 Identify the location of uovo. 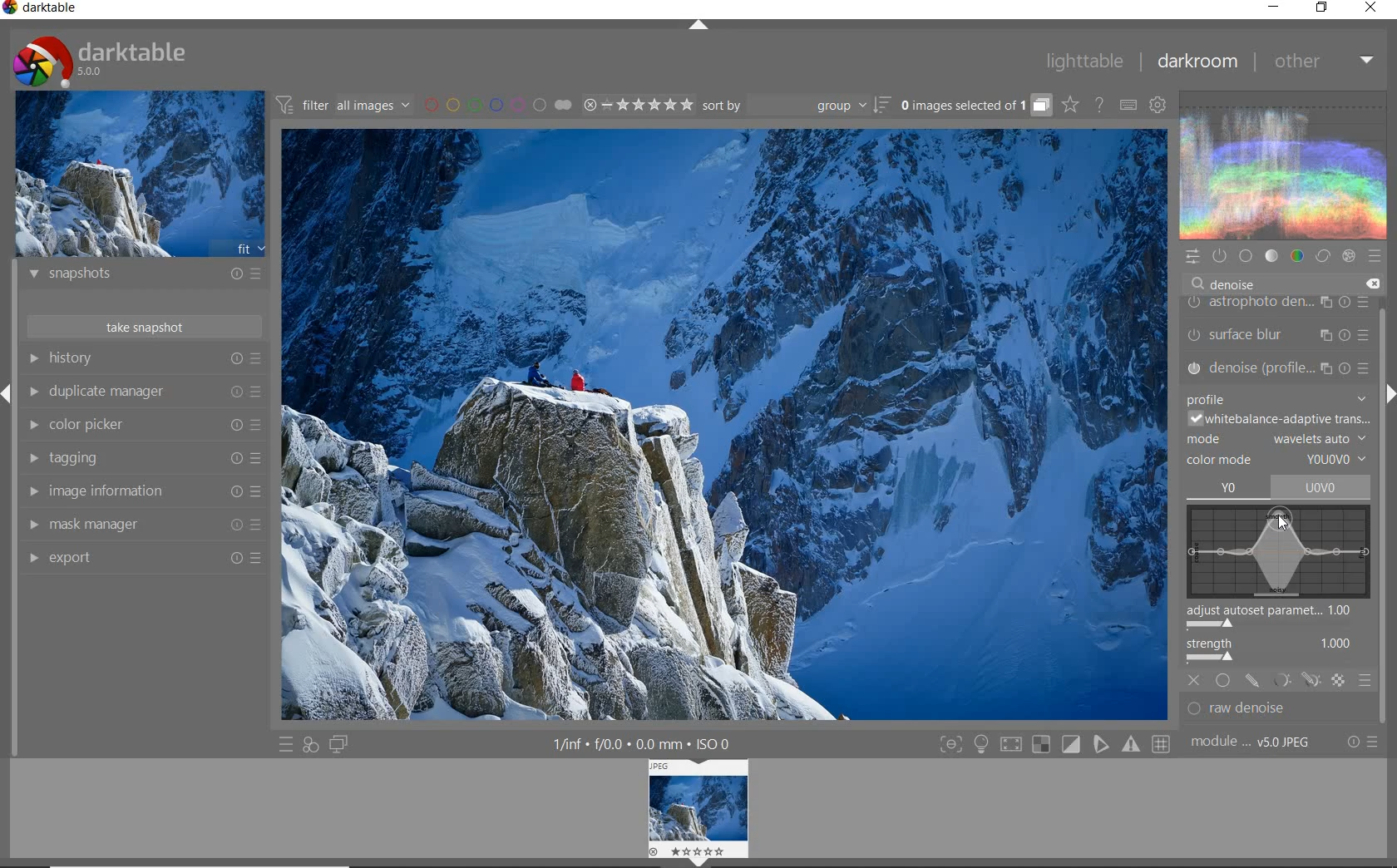
(1324, 486).